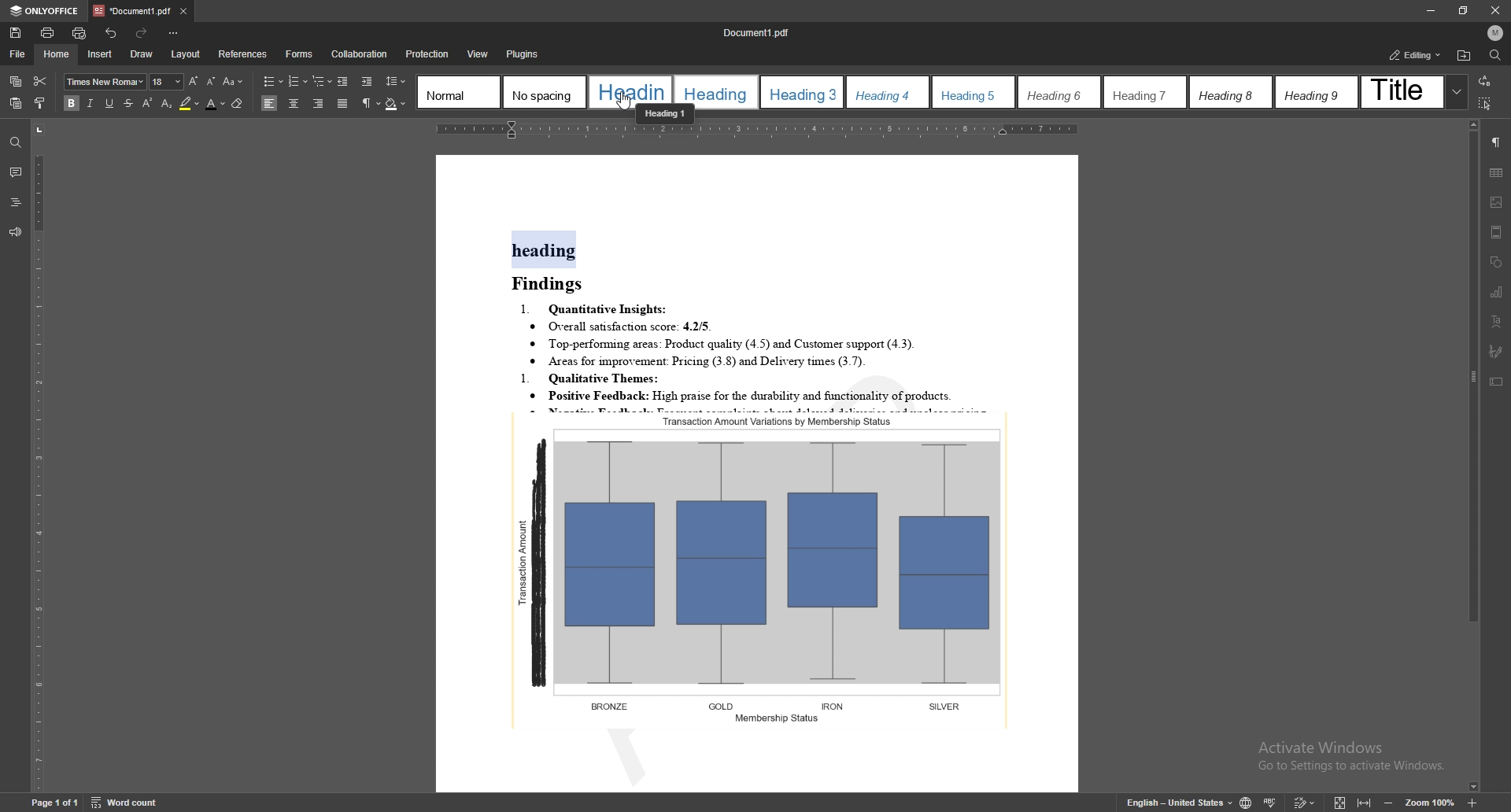 Image resolution: width=1511 pixels, height=812 pixels. I want to click on 1. Quantitative Insights:, so click(597, 308).